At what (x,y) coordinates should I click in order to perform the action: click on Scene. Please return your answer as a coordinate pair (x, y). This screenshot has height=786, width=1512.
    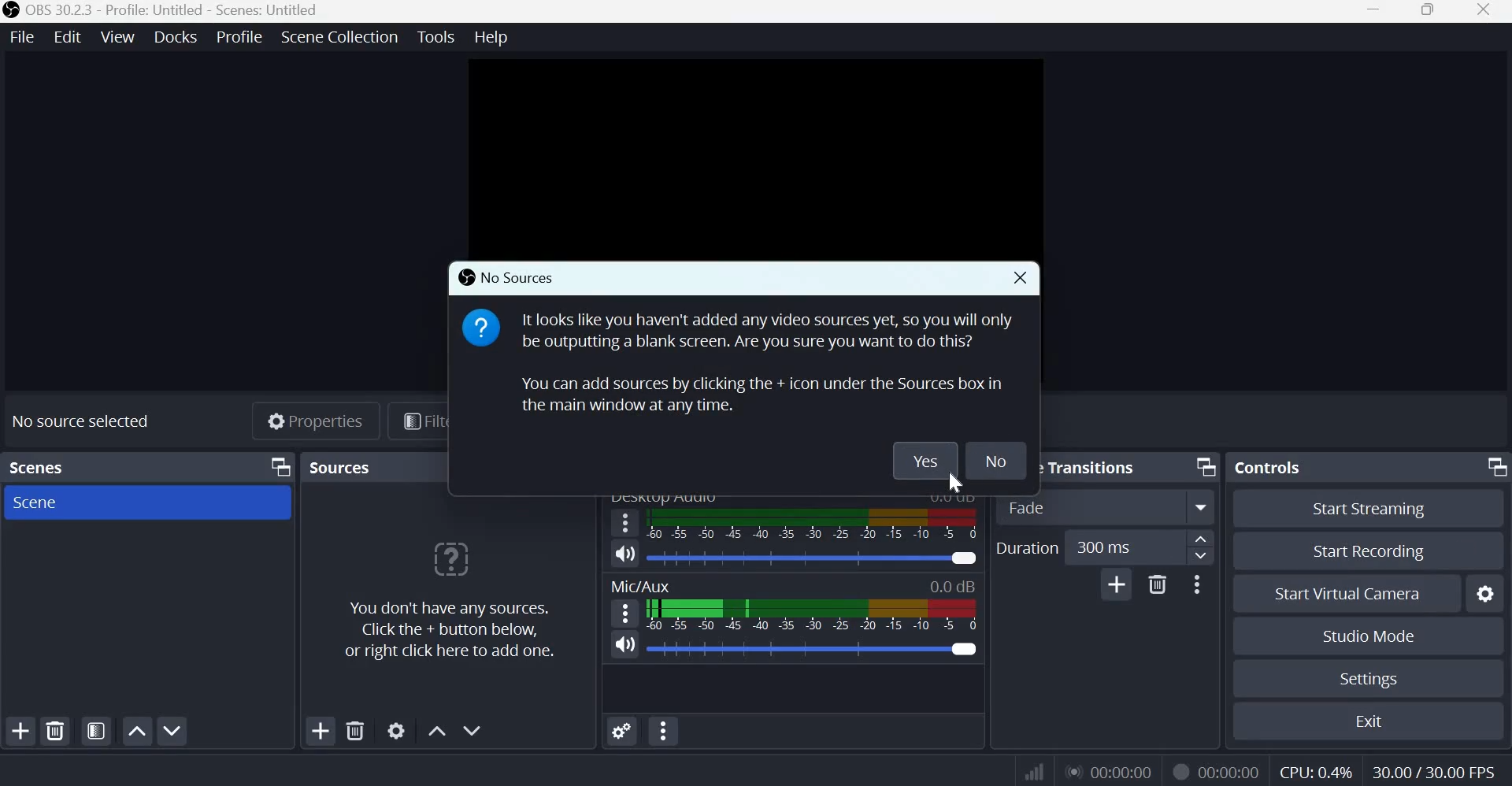
    Looking at the image, I should click on (43, 504).